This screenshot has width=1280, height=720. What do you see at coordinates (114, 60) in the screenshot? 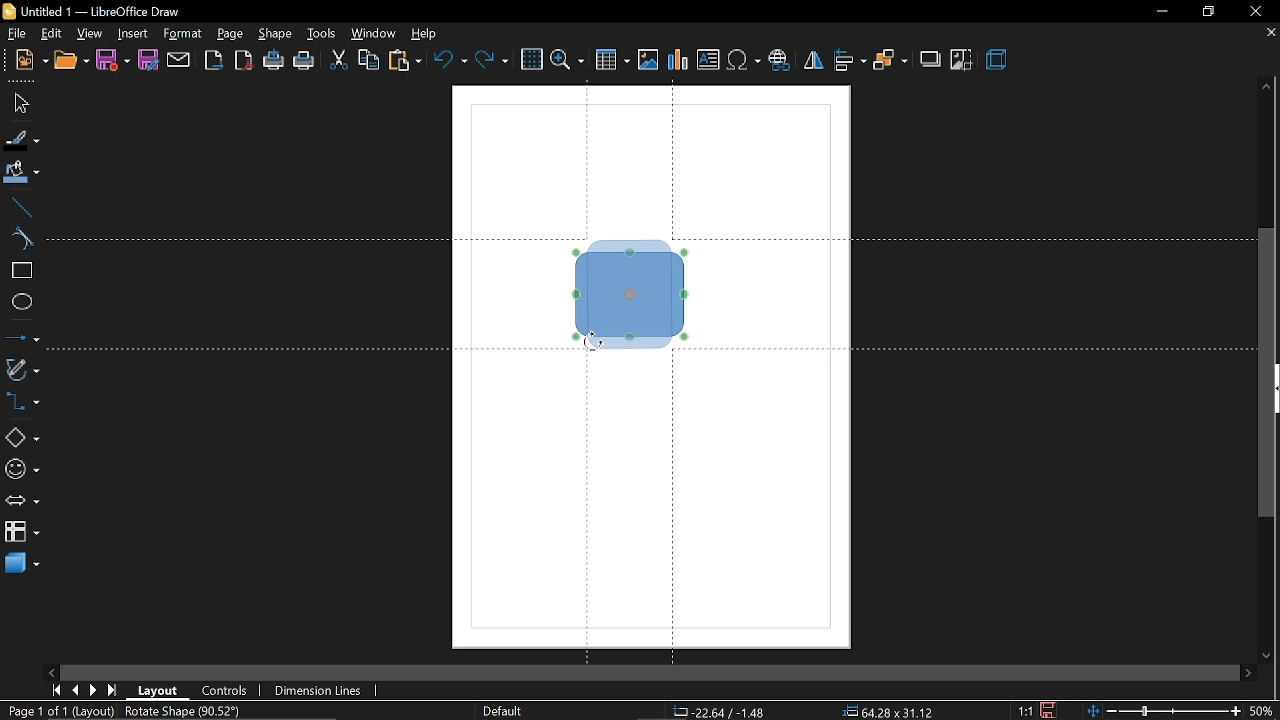
I see `save` at bounding box center [114, 60].